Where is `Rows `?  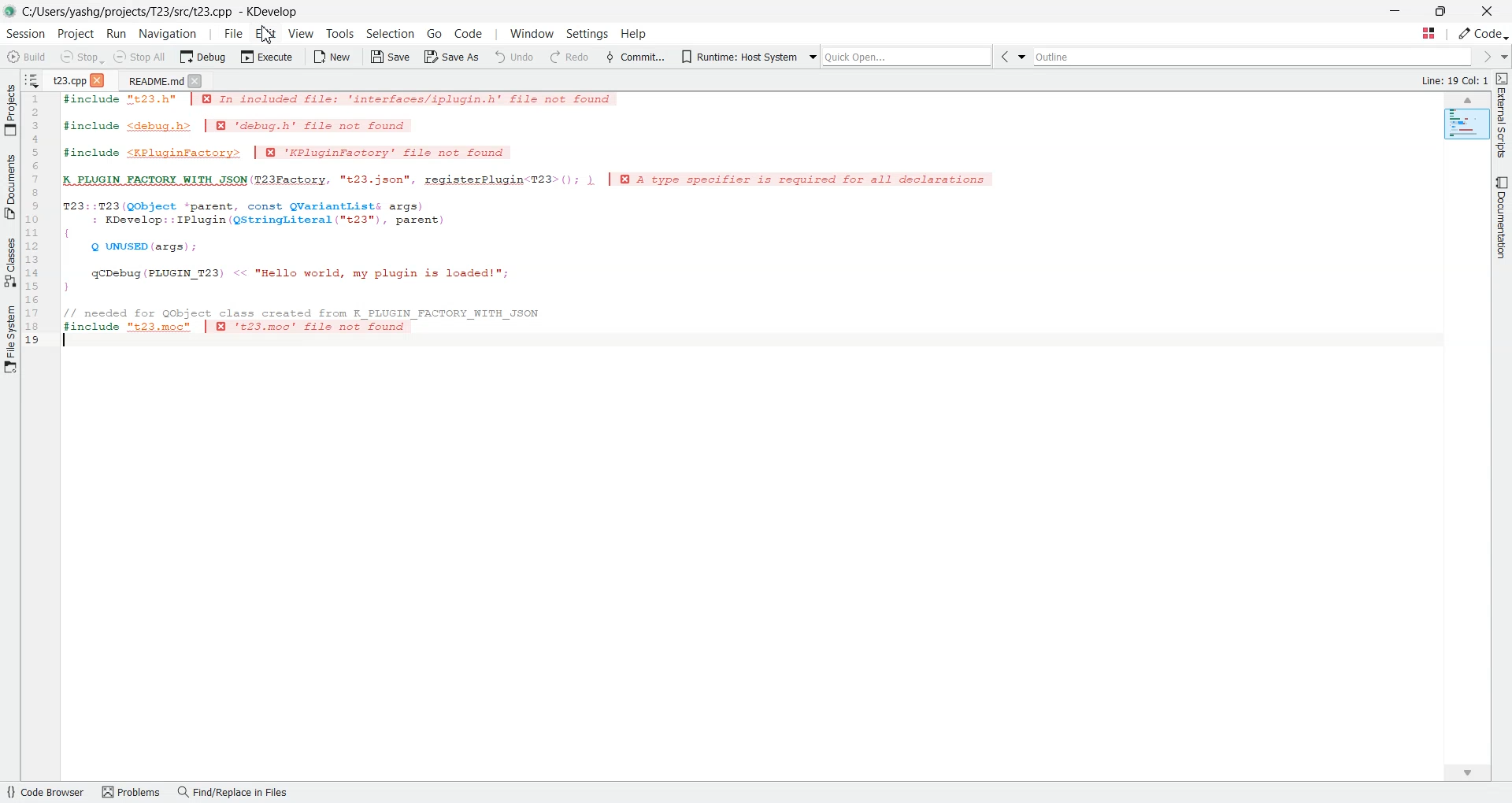 Rows  is located at coordinates (36, 221).